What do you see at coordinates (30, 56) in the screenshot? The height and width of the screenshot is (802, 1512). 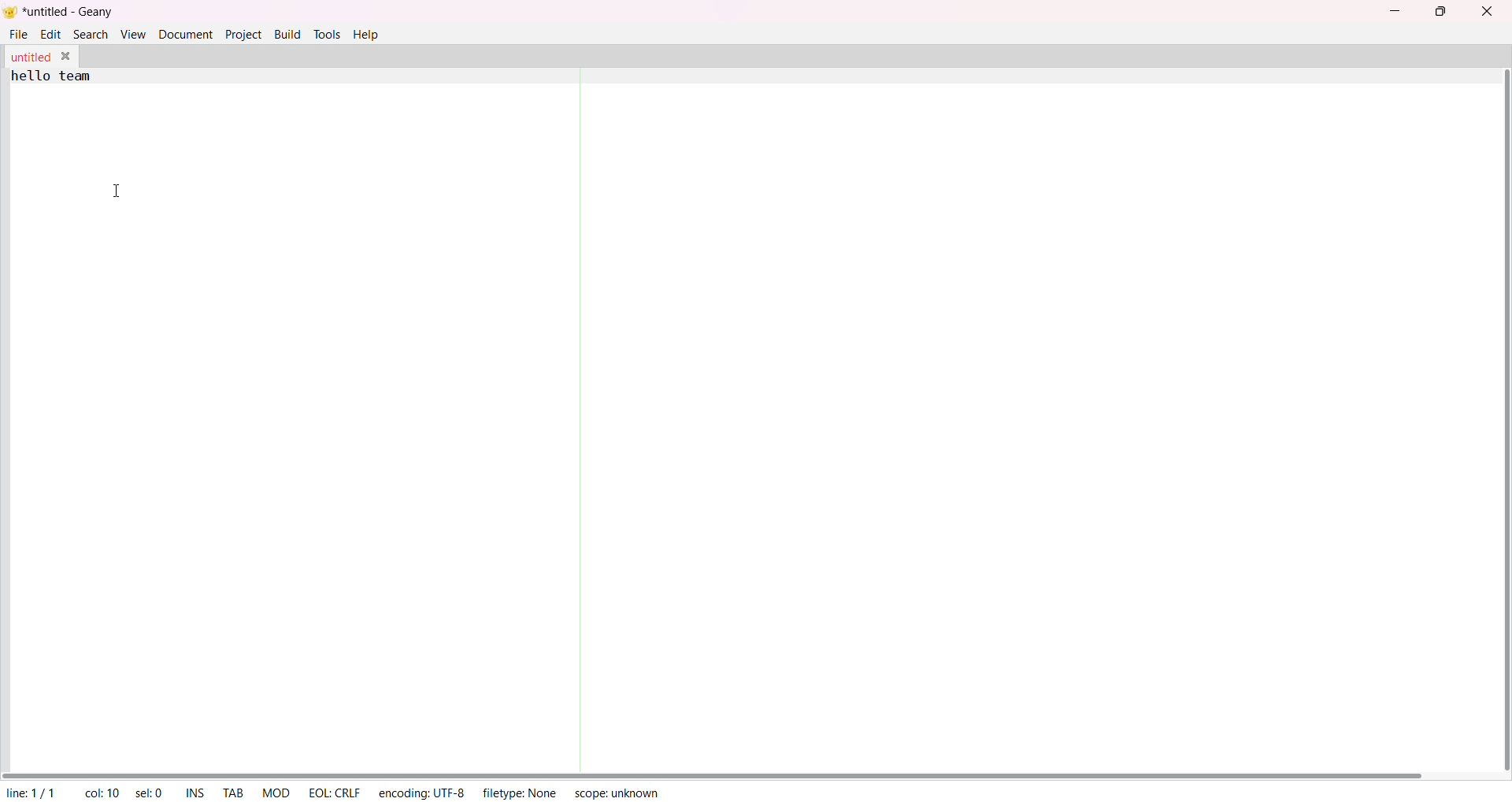 I see `untitled` at bounding box center [30, 56].